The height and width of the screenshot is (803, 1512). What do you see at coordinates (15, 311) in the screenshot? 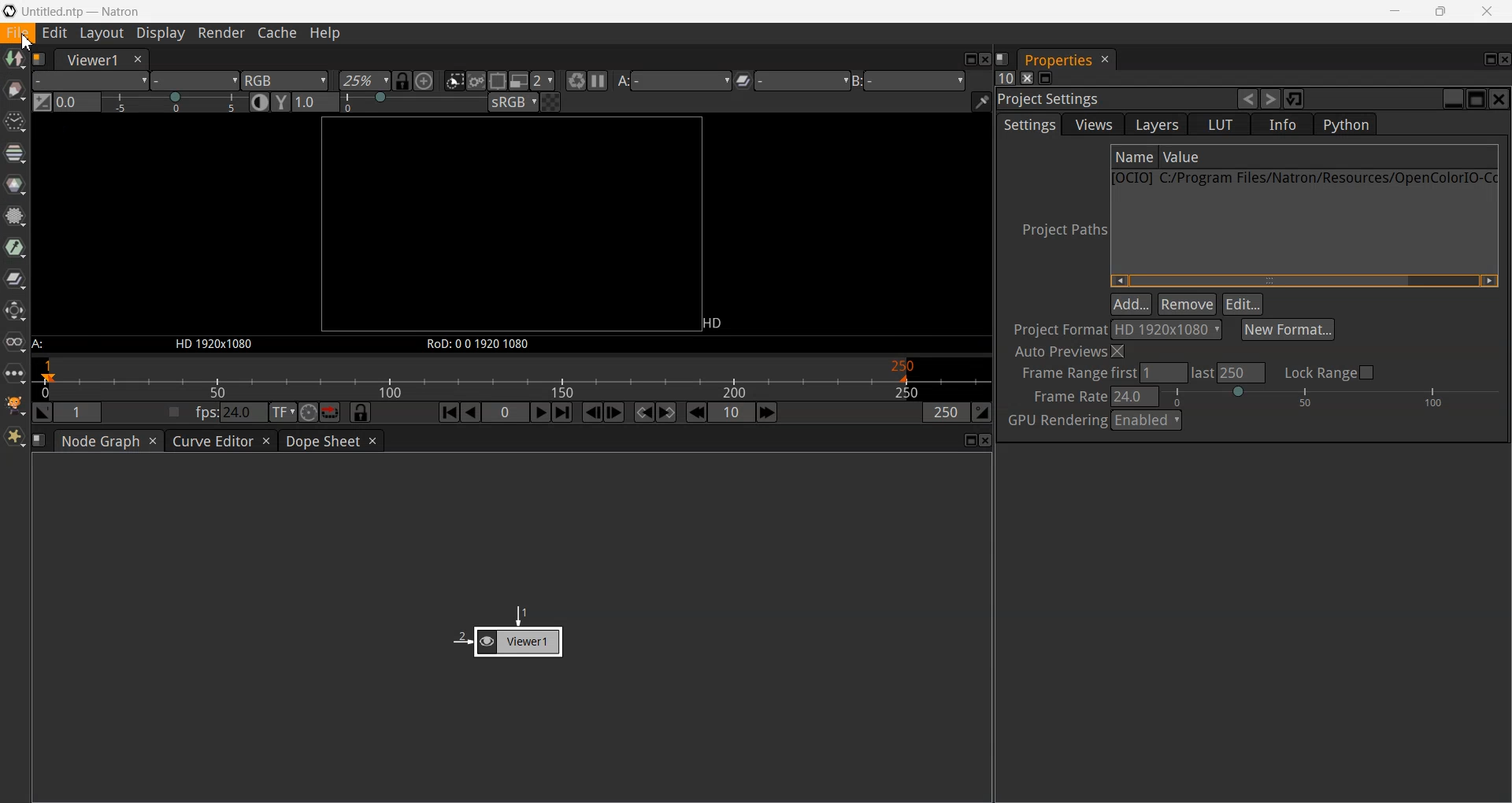
I see `Transform` at bounding box center [15, 311].